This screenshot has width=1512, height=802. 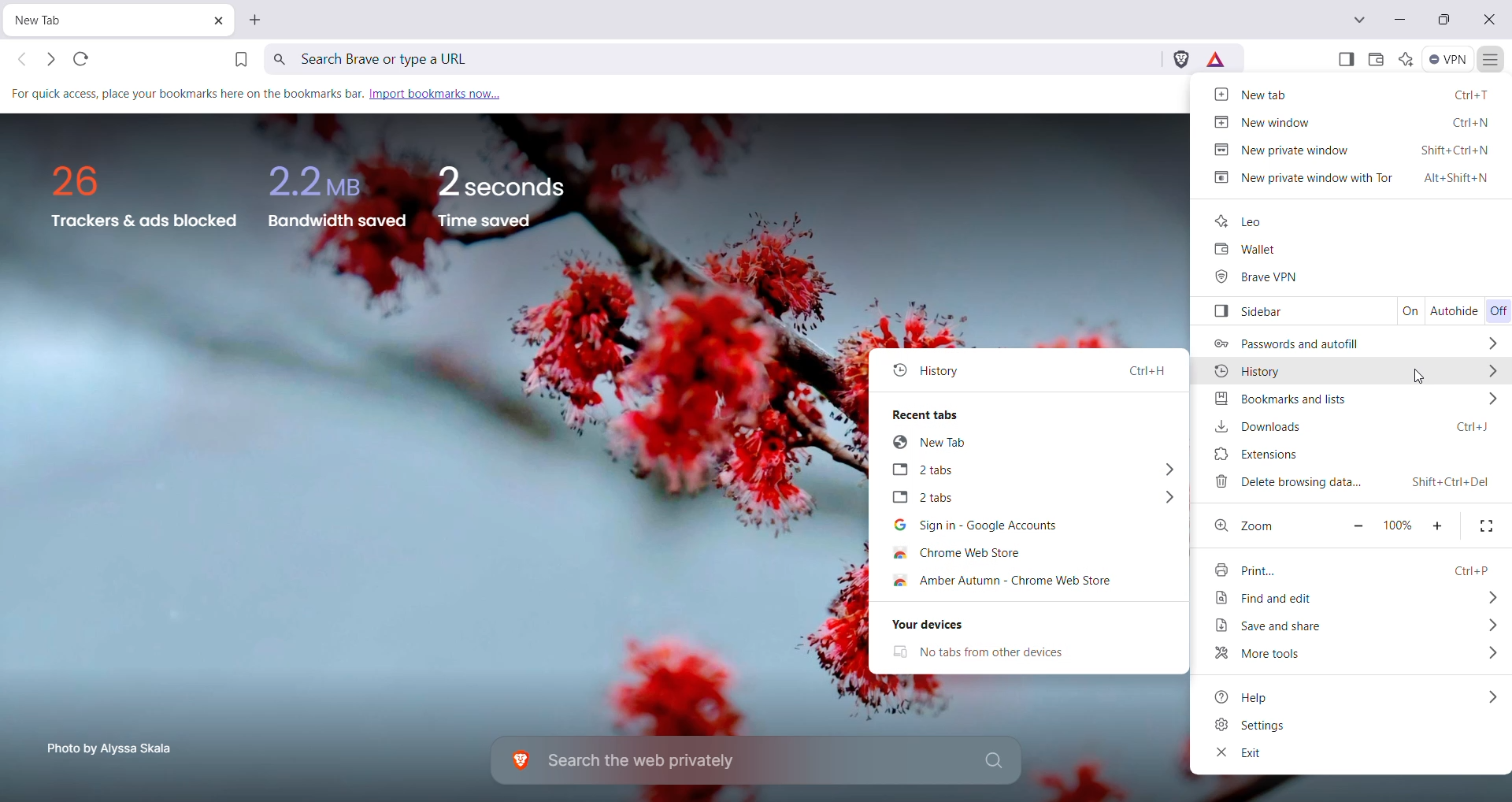 I want to click on New Tab, so click(x=258, y=20).